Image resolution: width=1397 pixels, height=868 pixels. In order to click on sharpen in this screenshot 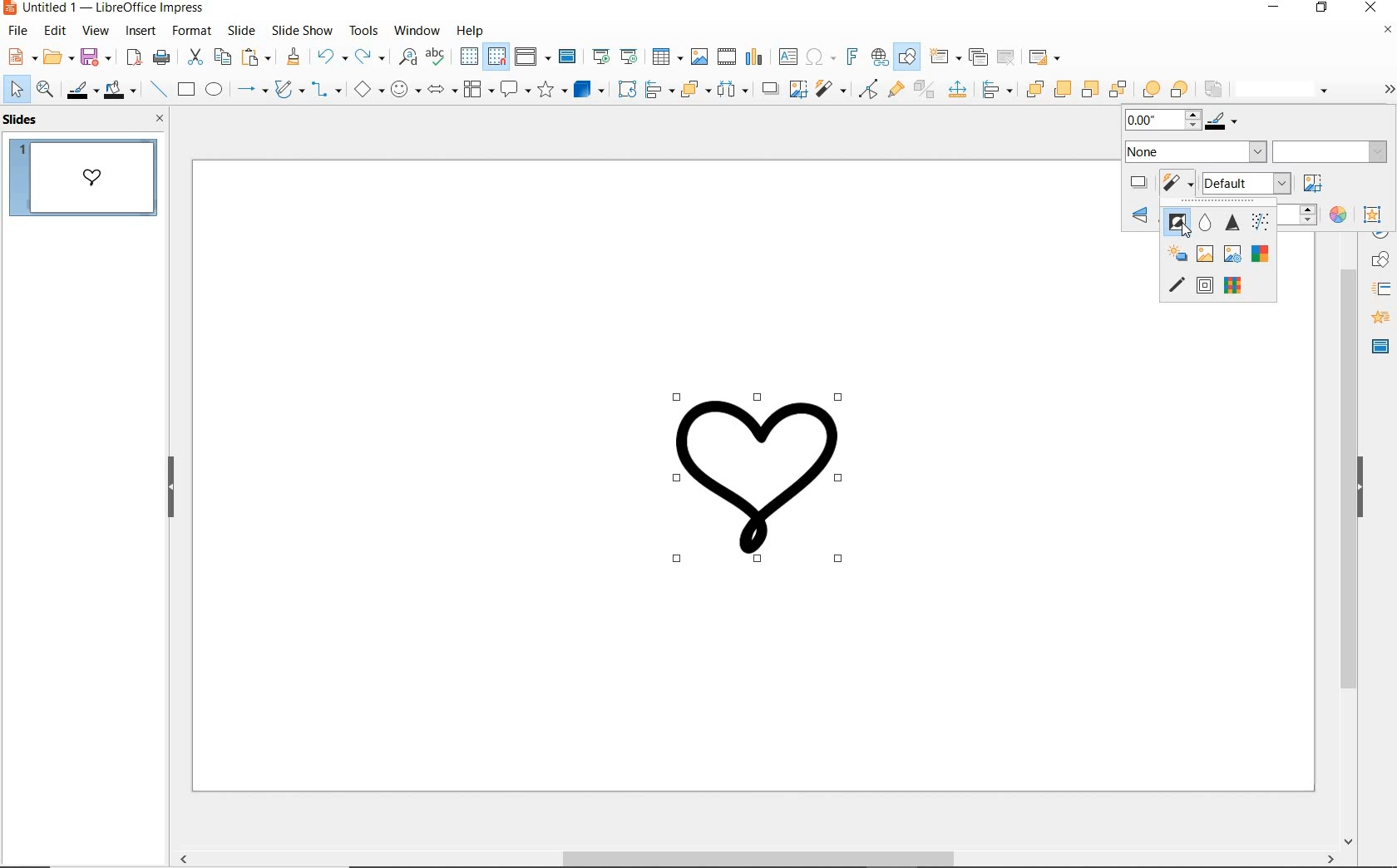, I will do `click(1230, 223)`.